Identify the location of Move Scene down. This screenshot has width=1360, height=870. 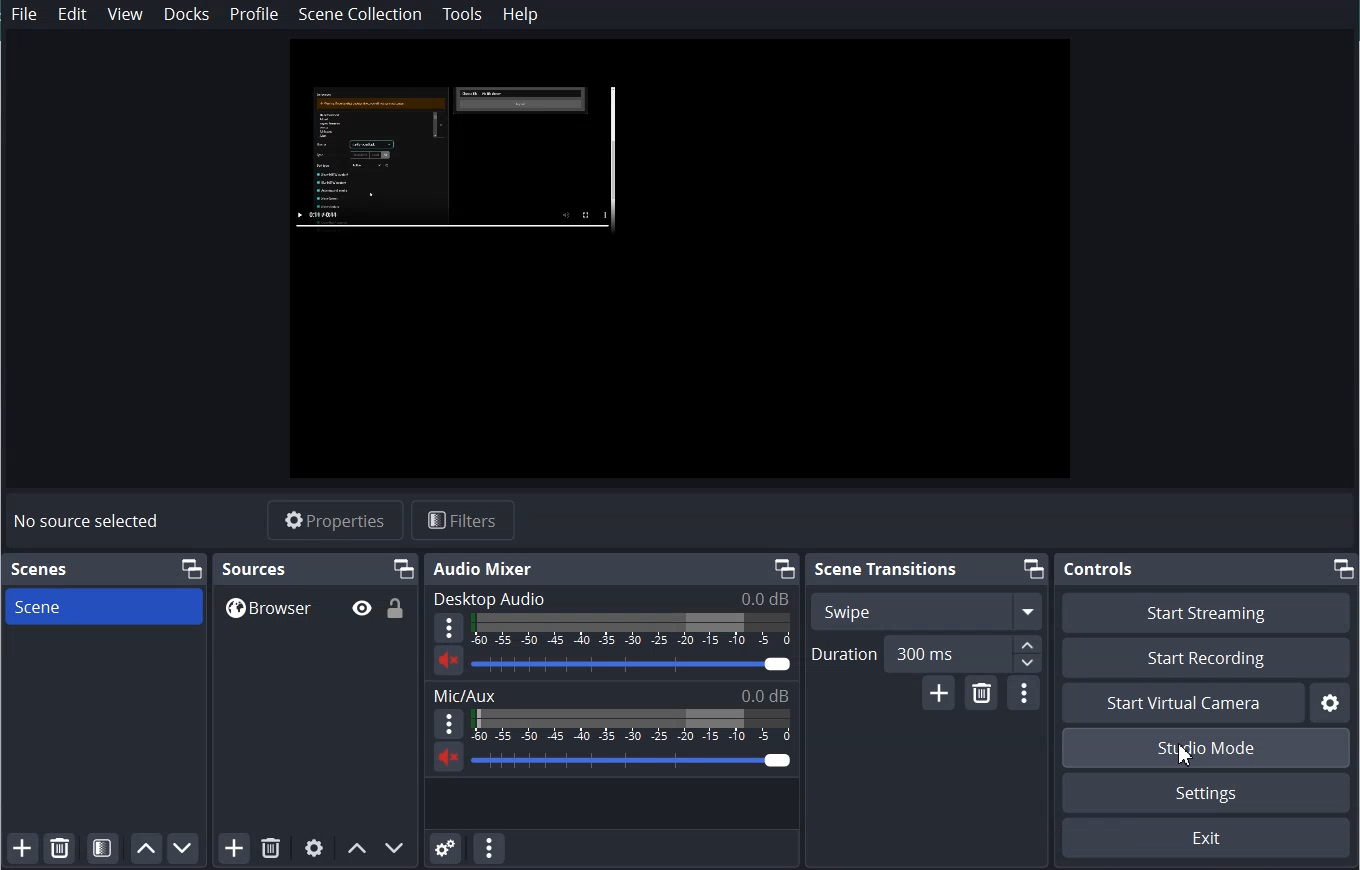
(183, 849).